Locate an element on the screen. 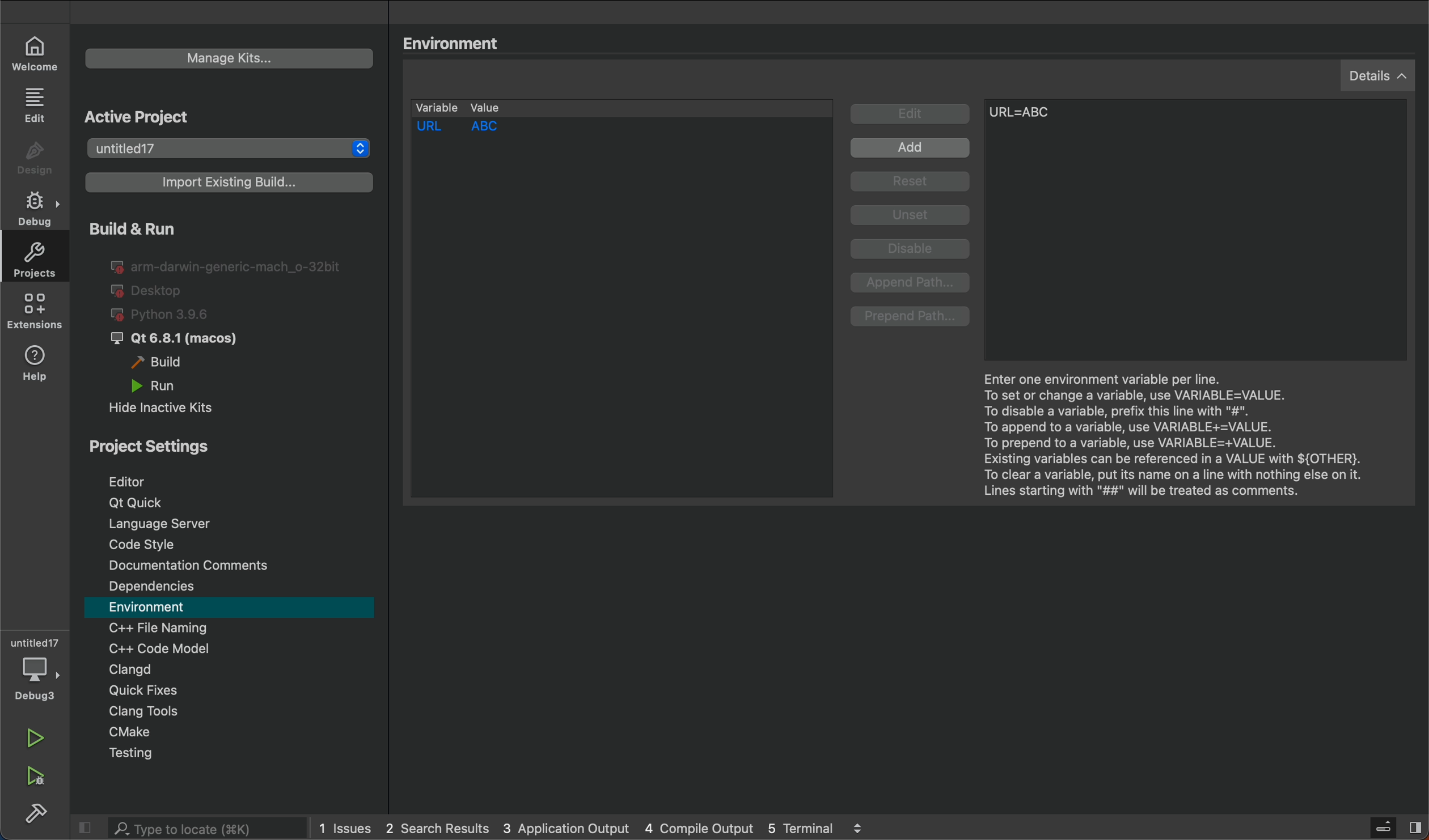  Add is located at coordinates (913, 149).